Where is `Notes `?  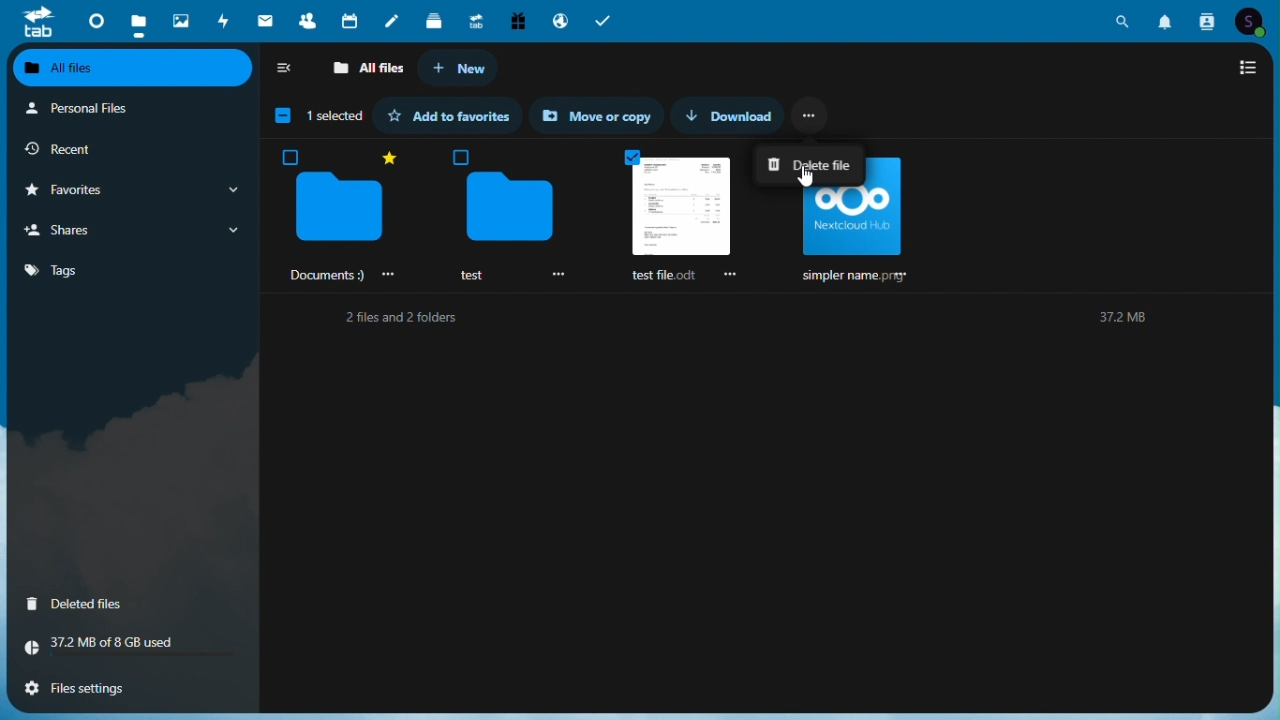 Notes  is located at coordinates (395, 22).